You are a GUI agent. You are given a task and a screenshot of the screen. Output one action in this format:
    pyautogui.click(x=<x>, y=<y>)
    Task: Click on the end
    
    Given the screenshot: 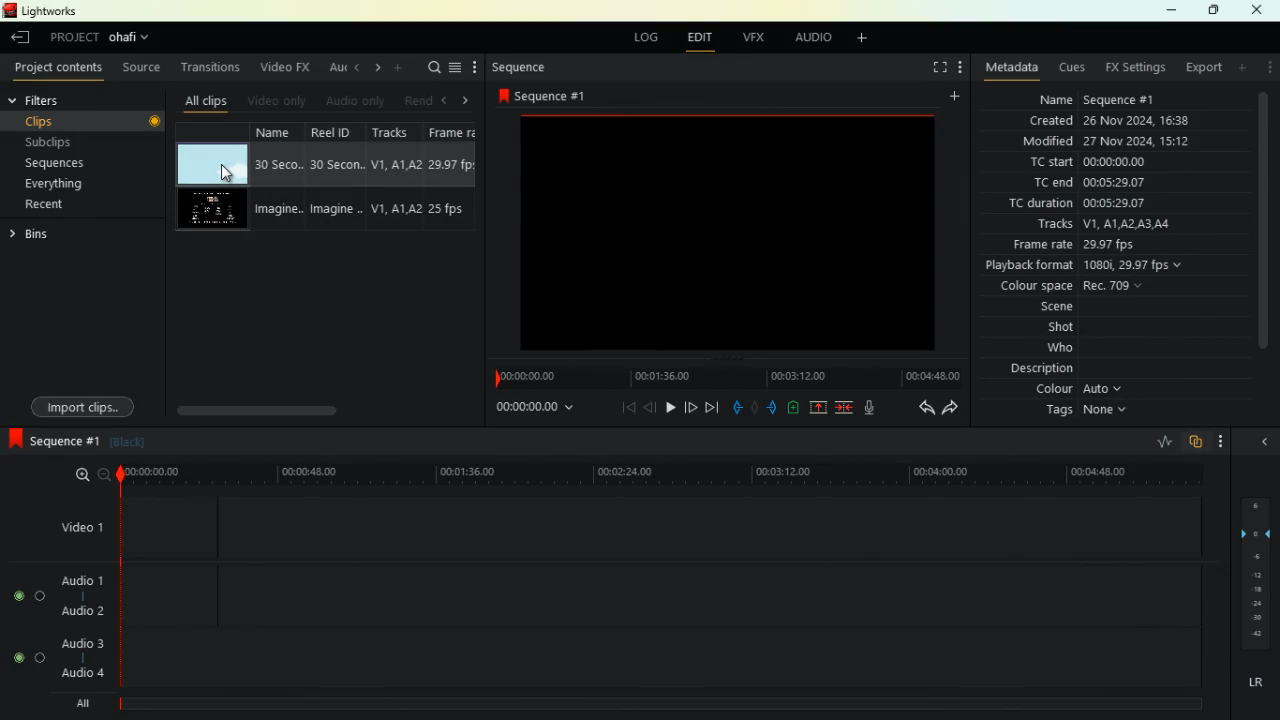 What is the action you would take?
    pyautogui.click(x=712, y=409)
    